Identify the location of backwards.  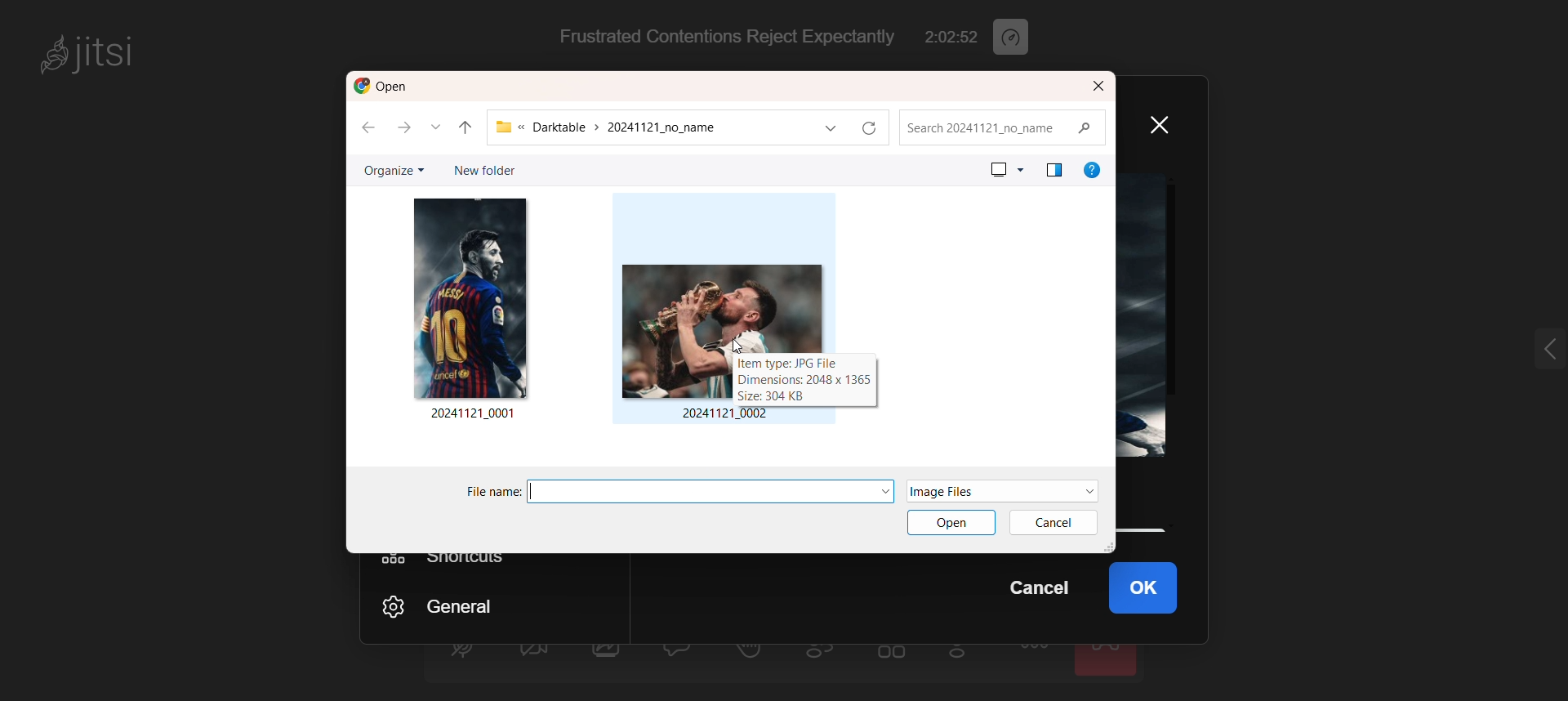
(369, 131).